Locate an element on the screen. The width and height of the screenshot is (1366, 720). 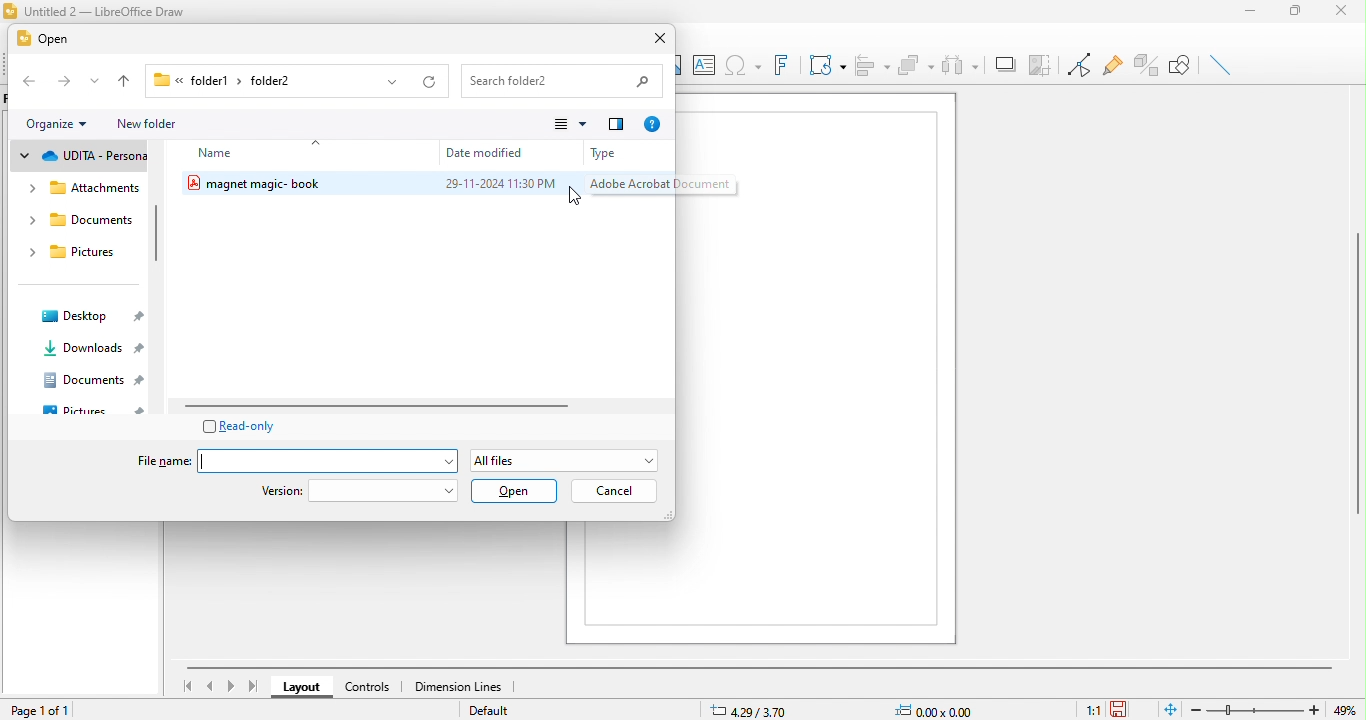
next page is located at coordinates (231, 687).